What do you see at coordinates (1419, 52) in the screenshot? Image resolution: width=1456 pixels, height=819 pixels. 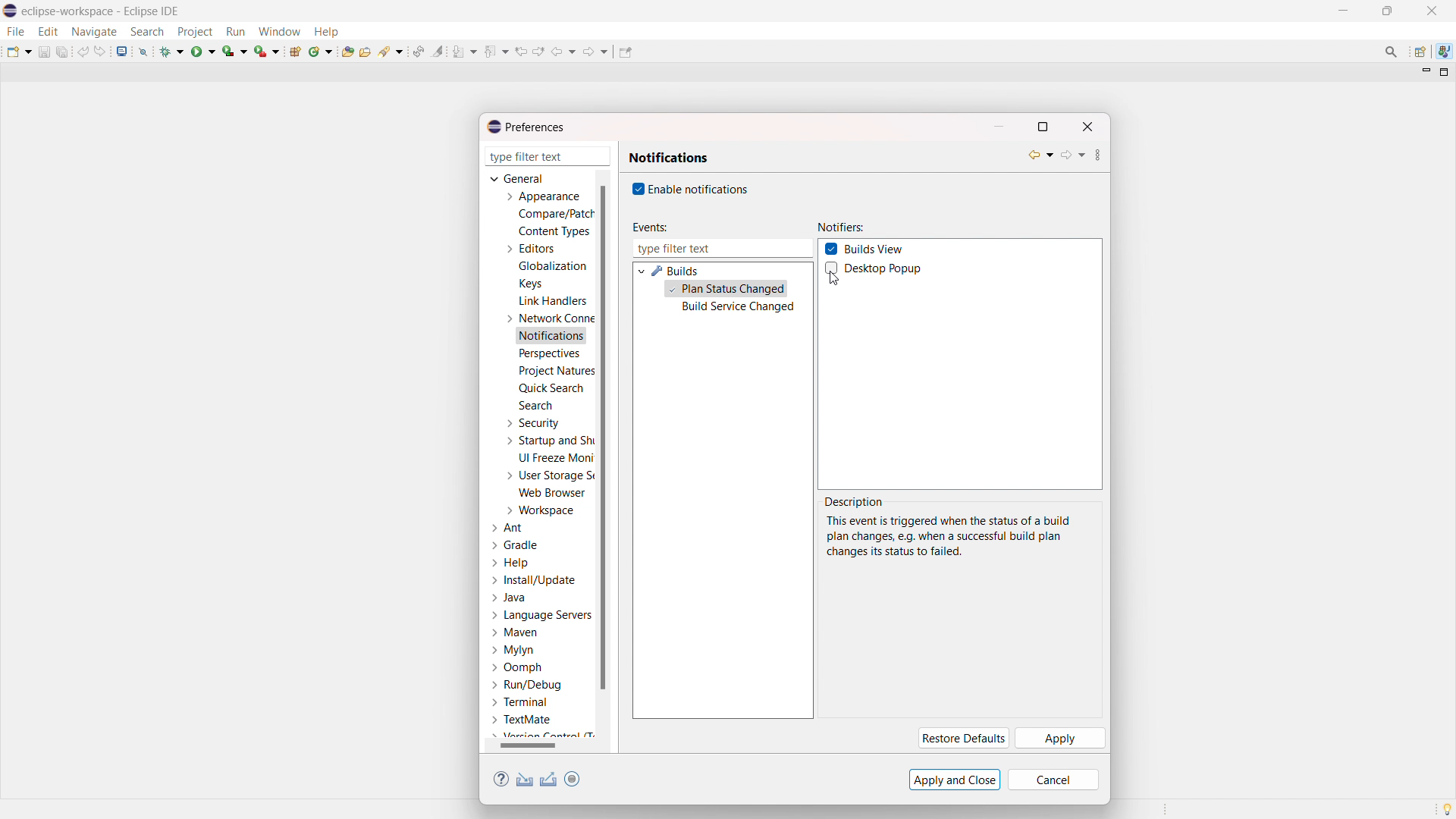 I see `open perspective` at bounding box center [1419, 52].